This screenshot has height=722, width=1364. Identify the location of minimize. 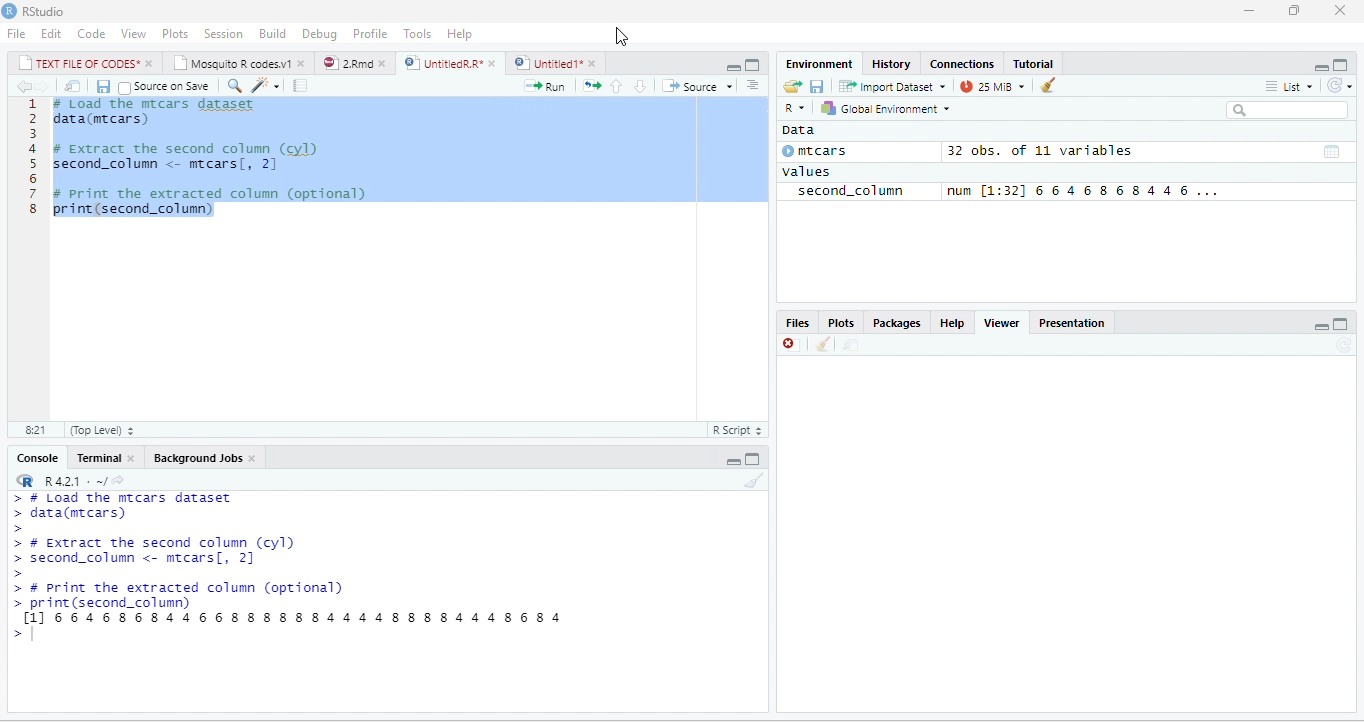
(1323, 64).